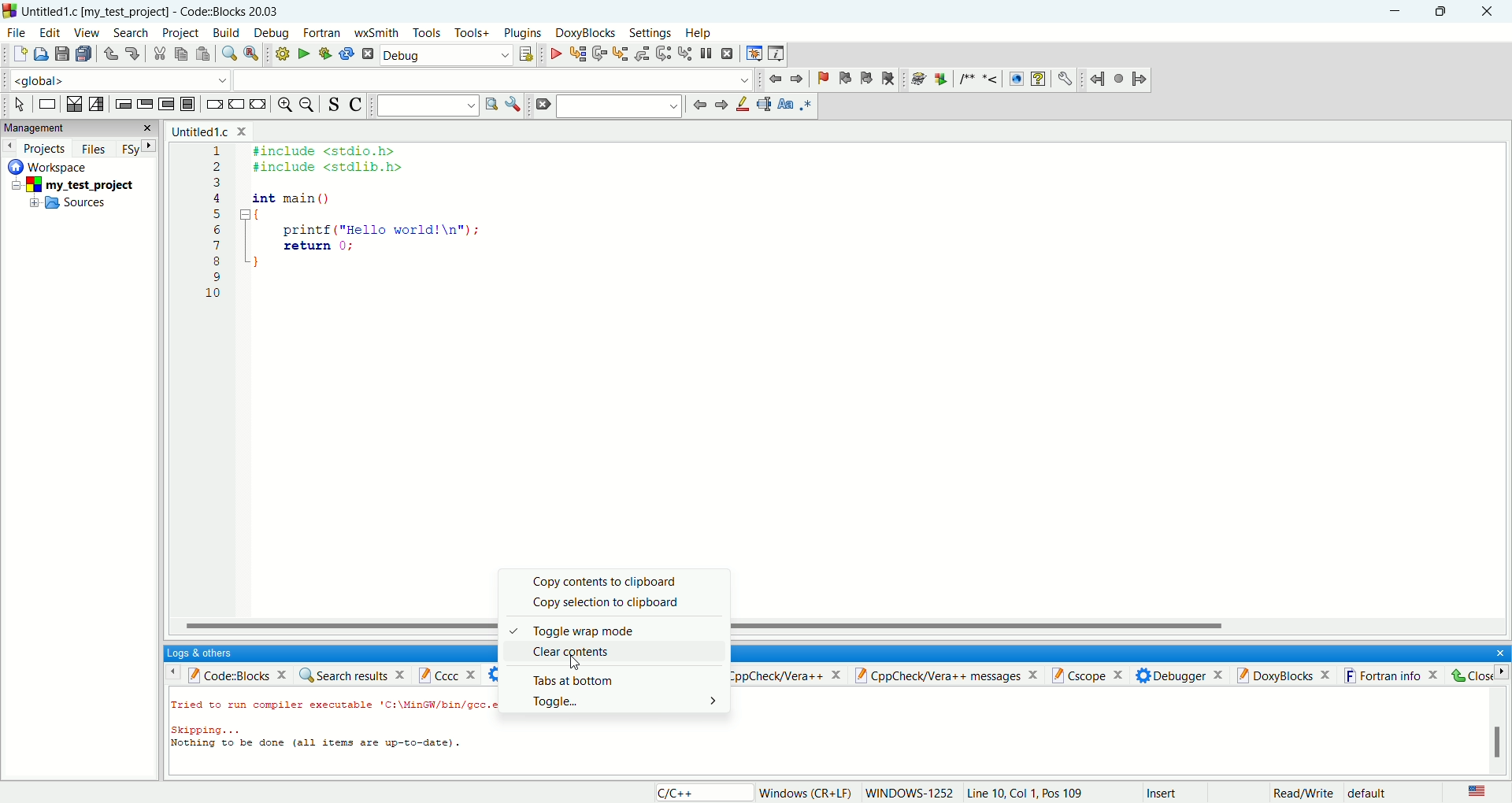 Image resolution: width=1512 pixels, height=803 pixels. I want to click on debugging, so click(753, 53).